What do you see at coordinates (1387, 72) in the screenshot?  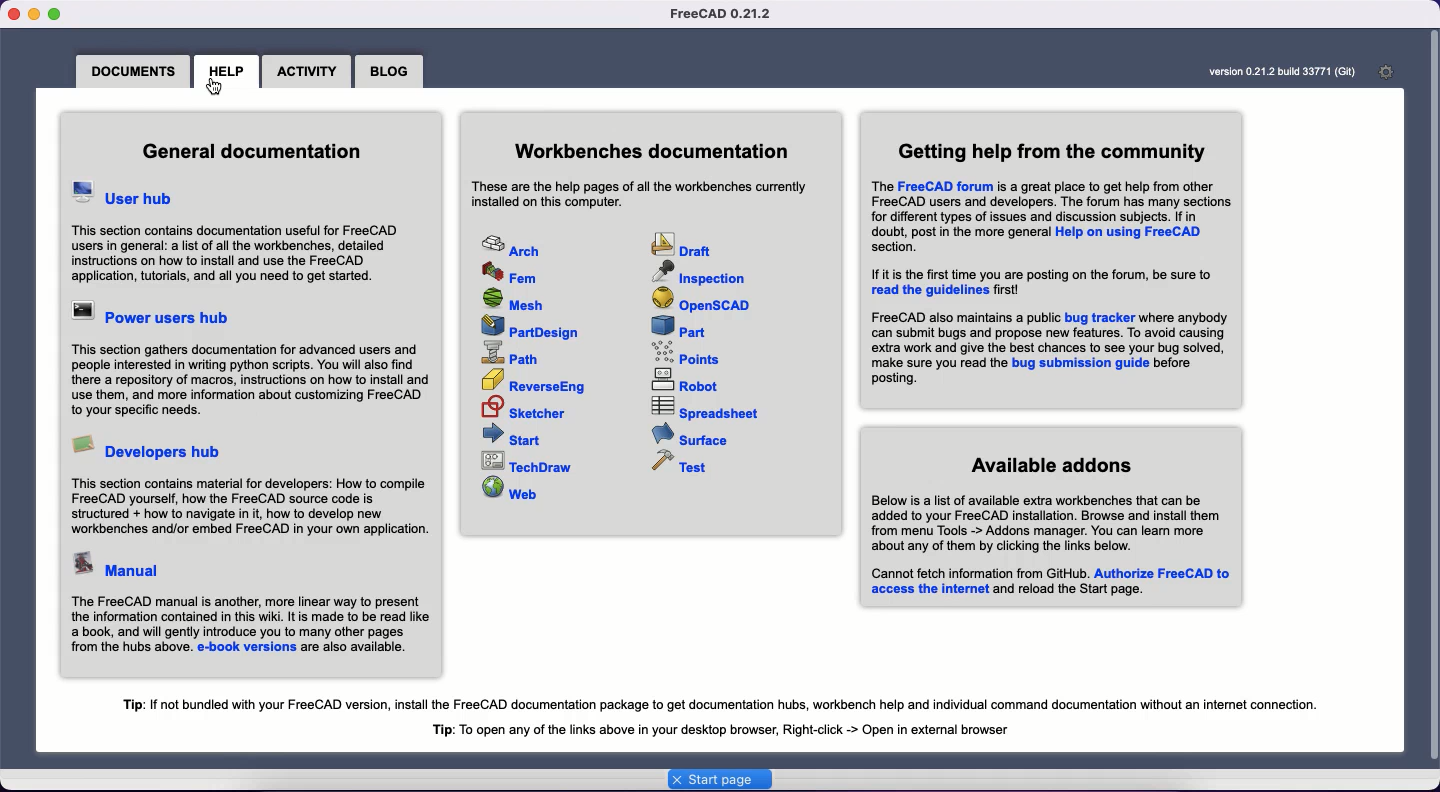 I see `Open start page preferences` at bounding box center [1387, 72].